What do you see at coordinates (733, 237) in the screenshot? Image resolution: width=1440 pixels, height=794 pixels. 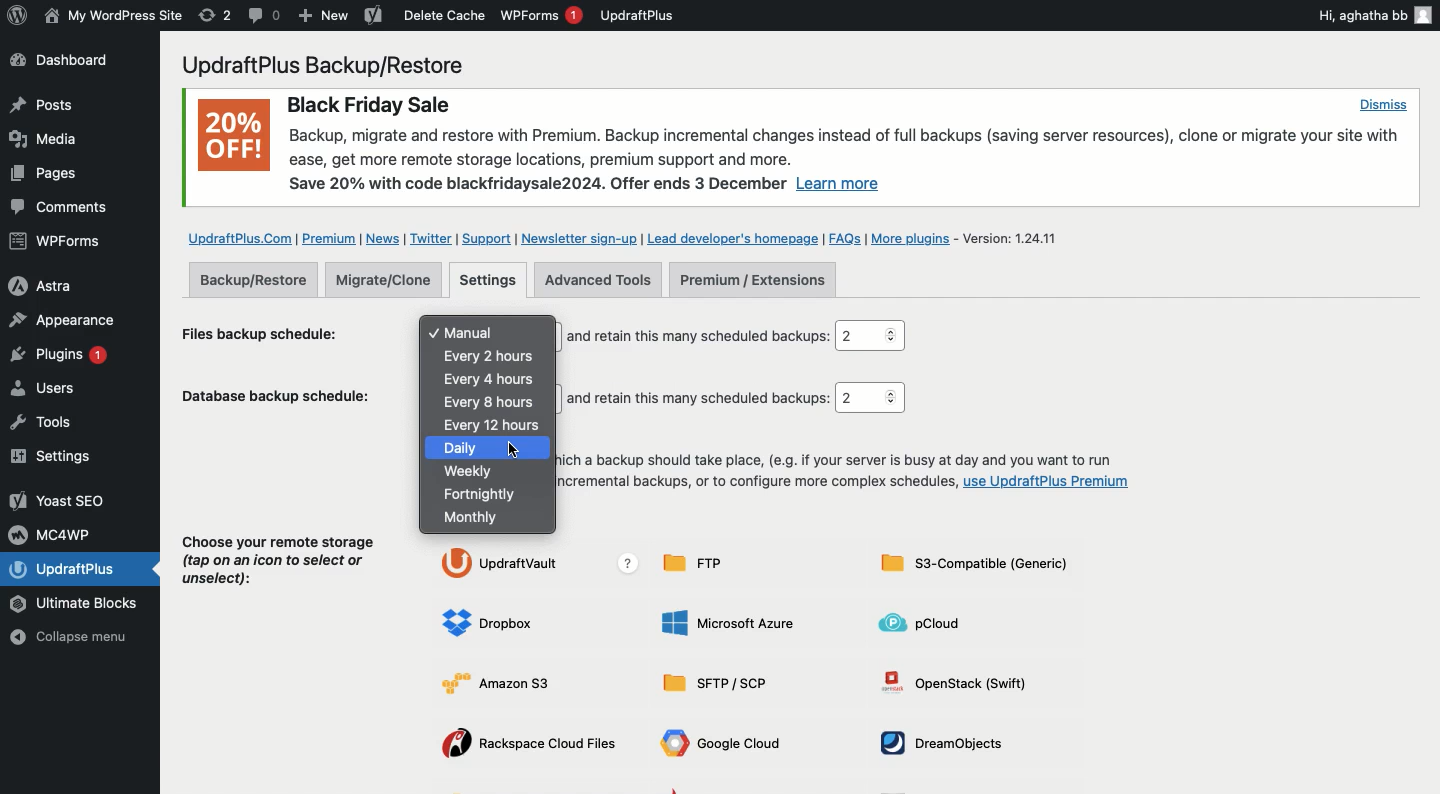 I see `Lead developer's homepage` at bounding box center [733, 237].